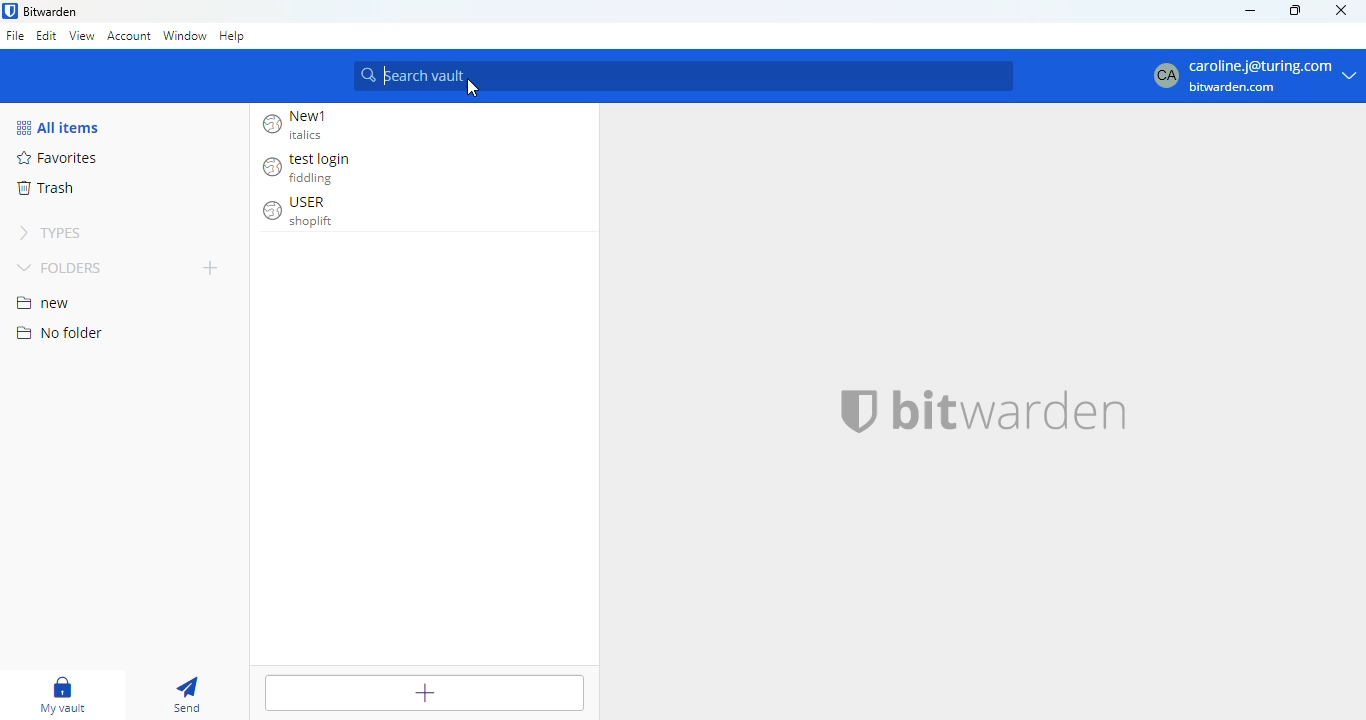 This screenshot has width=1366, height=720. Describe the element at coordinates (48, 34) in the screenshot. I see `edit` at that location.